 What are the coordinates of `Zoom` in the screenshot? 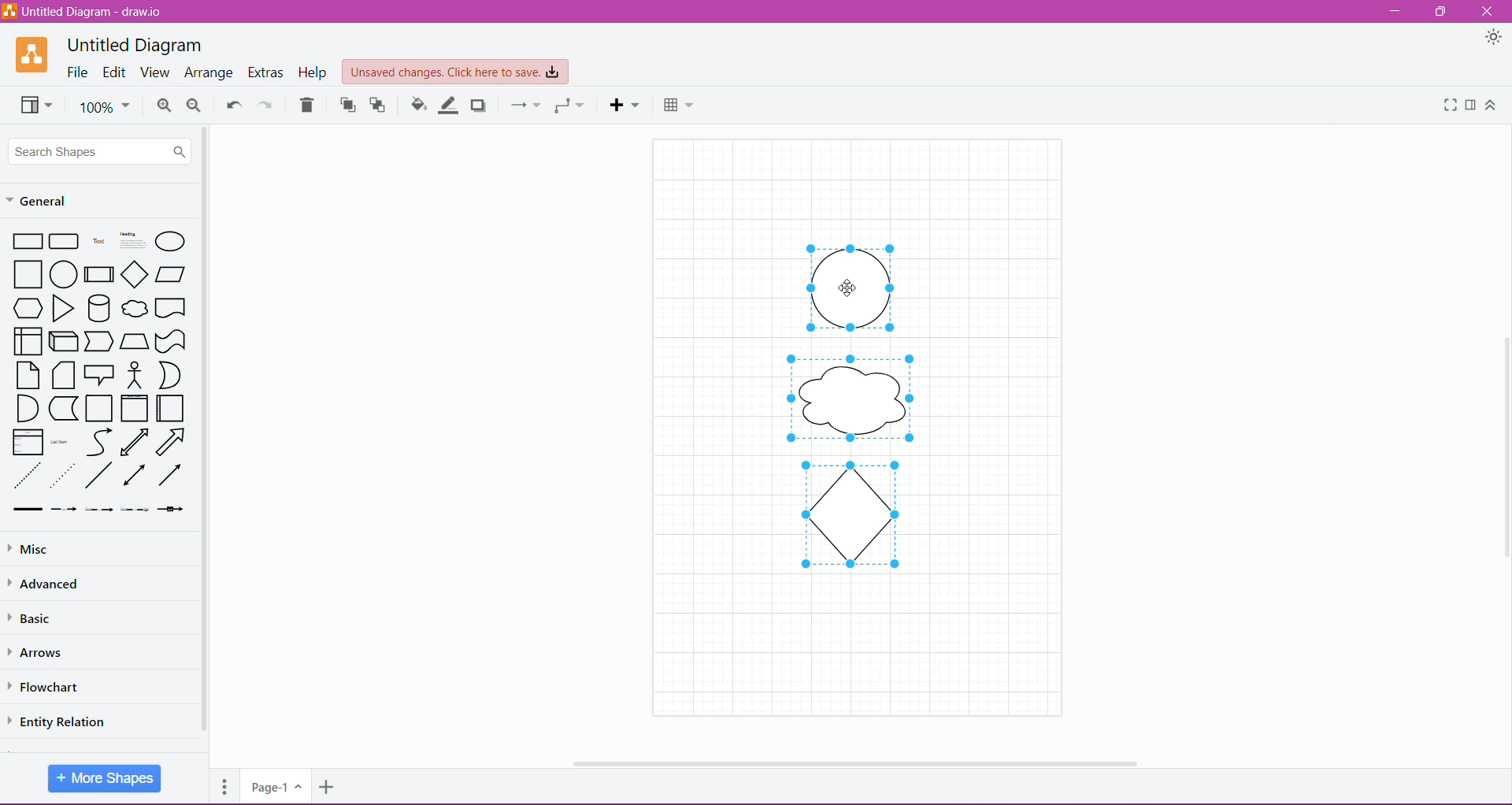 It's located at (104, 106).